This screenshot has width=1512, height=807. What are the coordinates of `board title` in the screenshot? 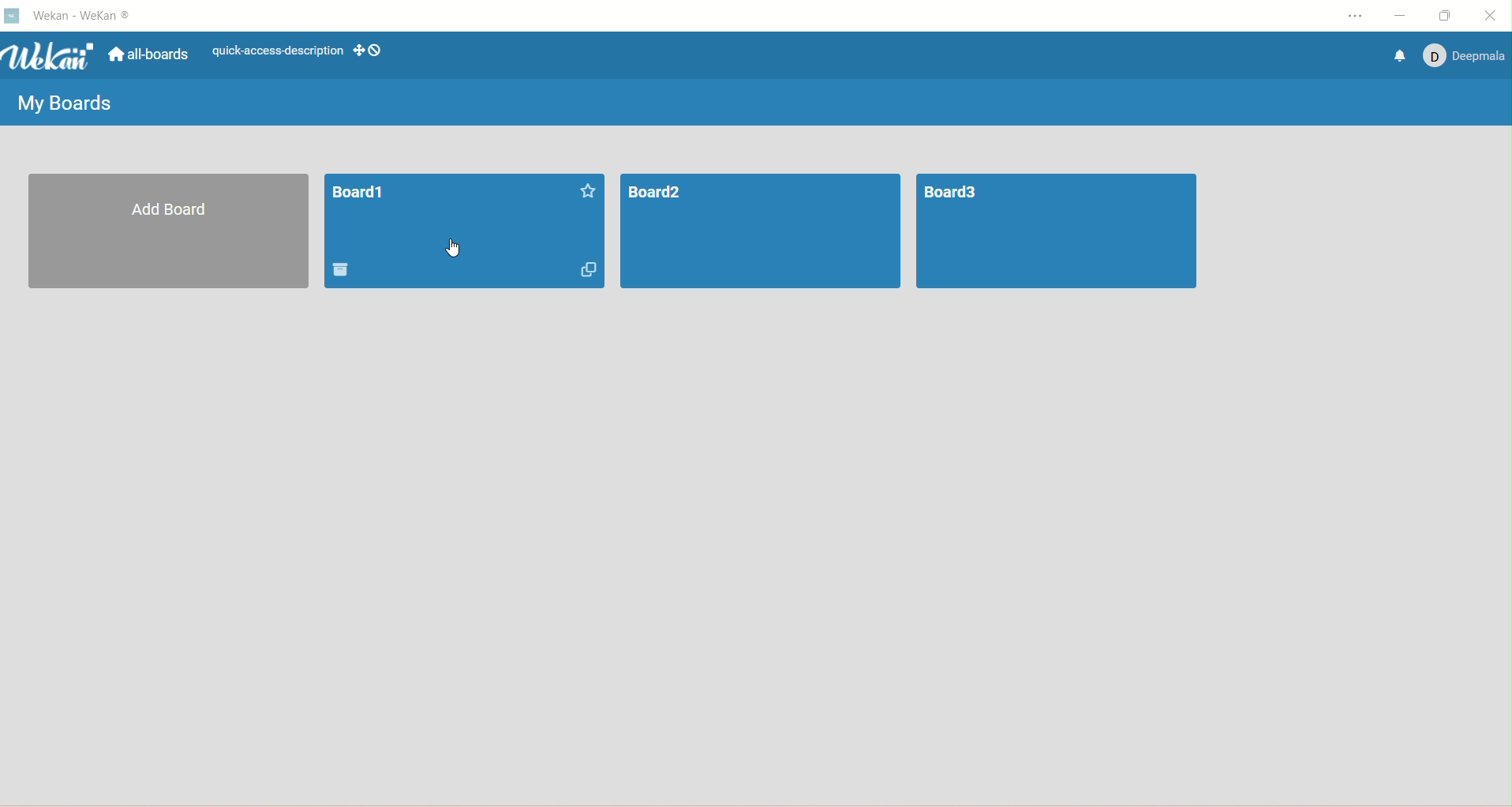 It's located at (360, 194).